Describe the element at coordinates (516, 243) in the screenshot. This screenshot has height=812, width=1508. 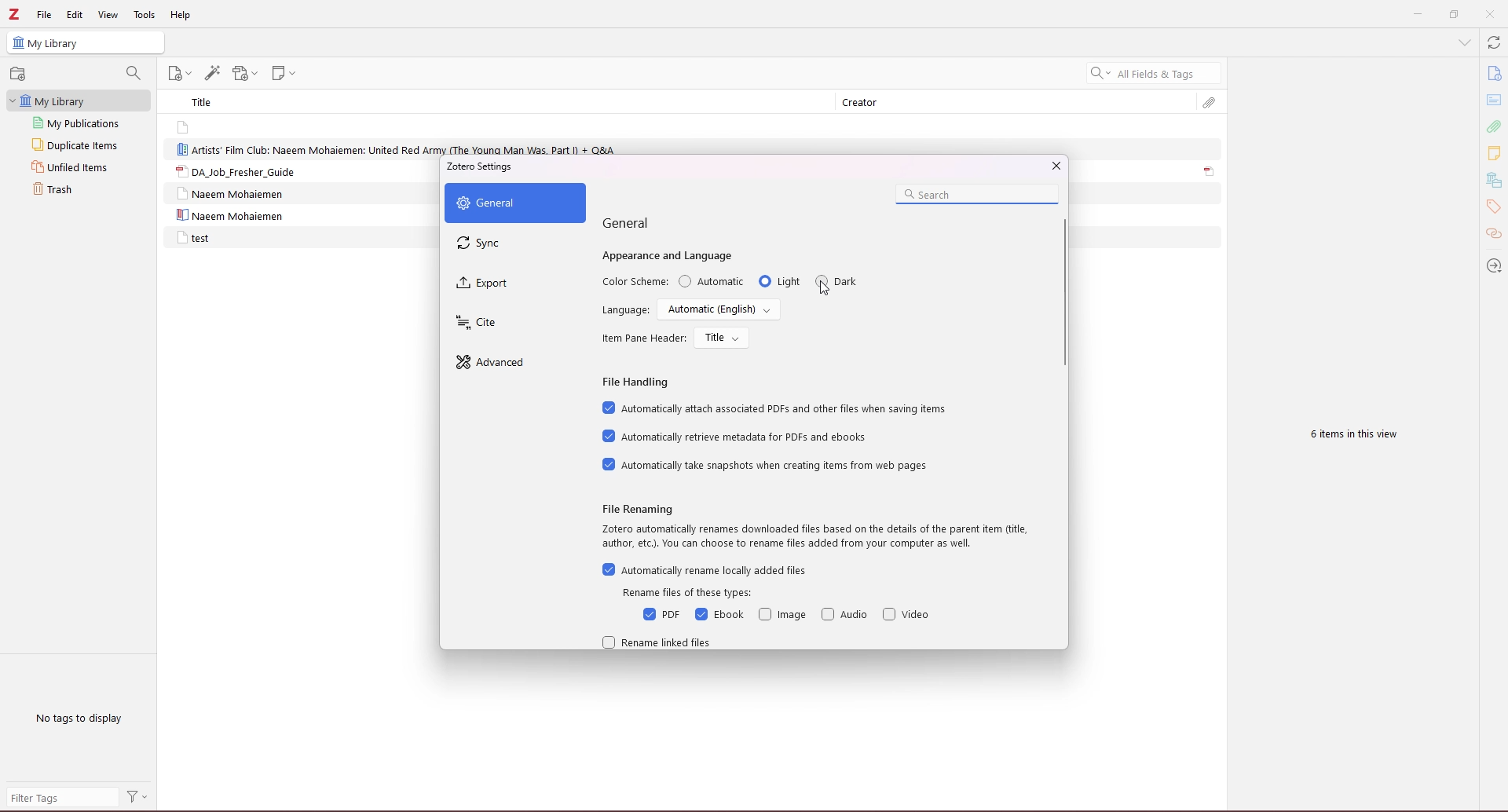
I see `sync` at that location.